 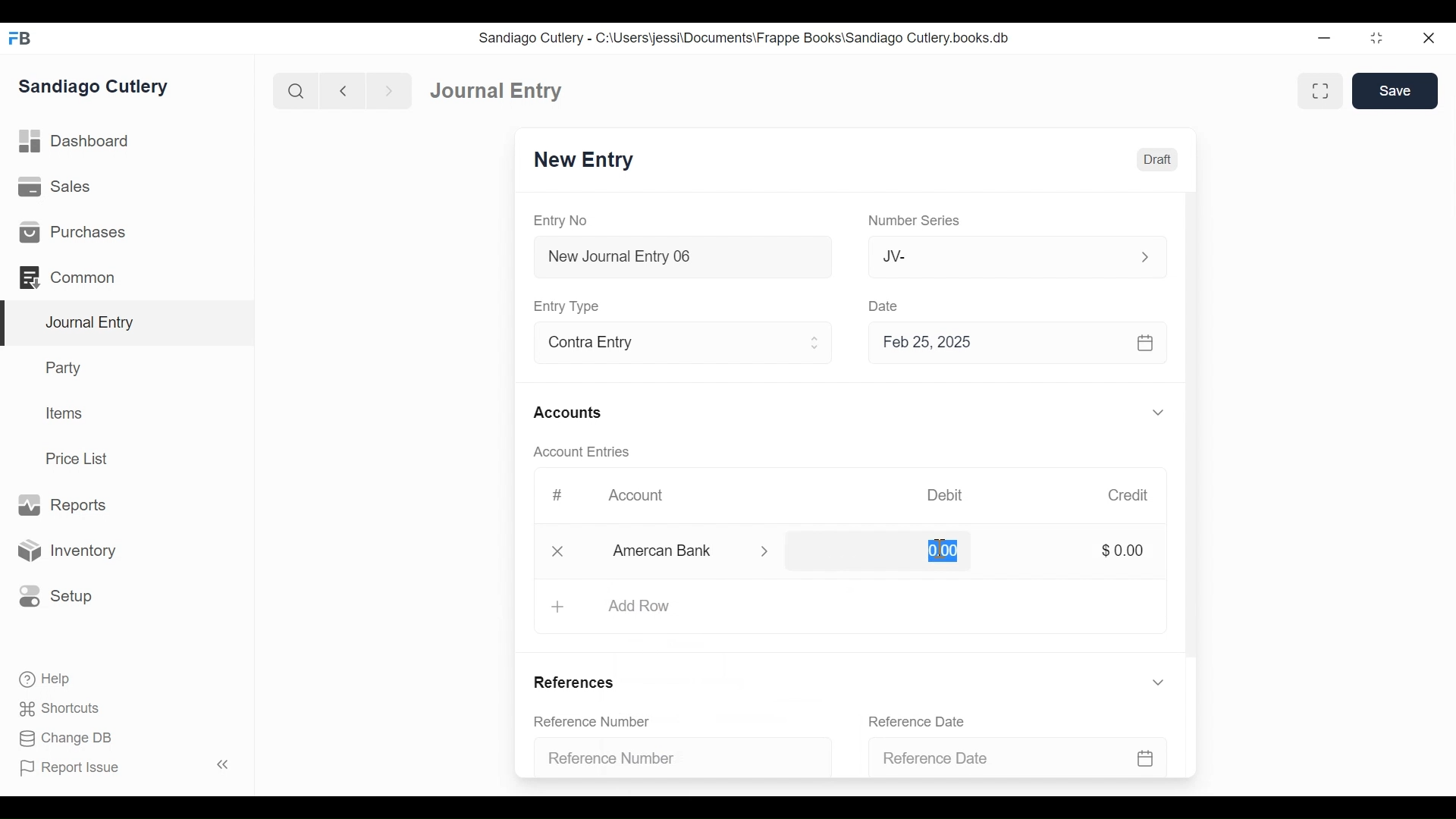 What do you see at coordinates (815, 343) in the screenshot?
I see `Expand` at bounding box center [815, 343].